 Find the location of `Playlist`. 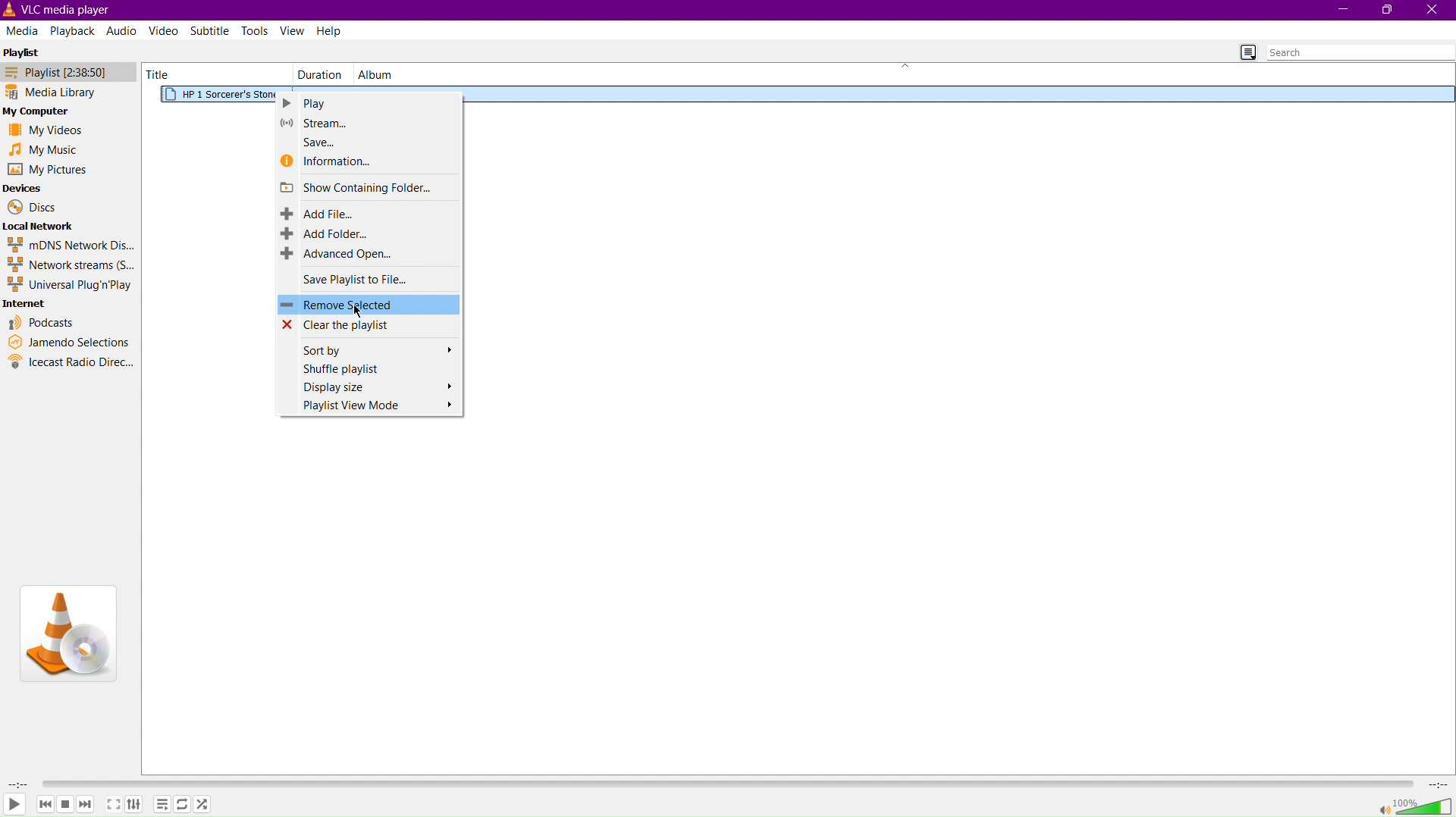

Playlist is located at coordinates (69, 71).